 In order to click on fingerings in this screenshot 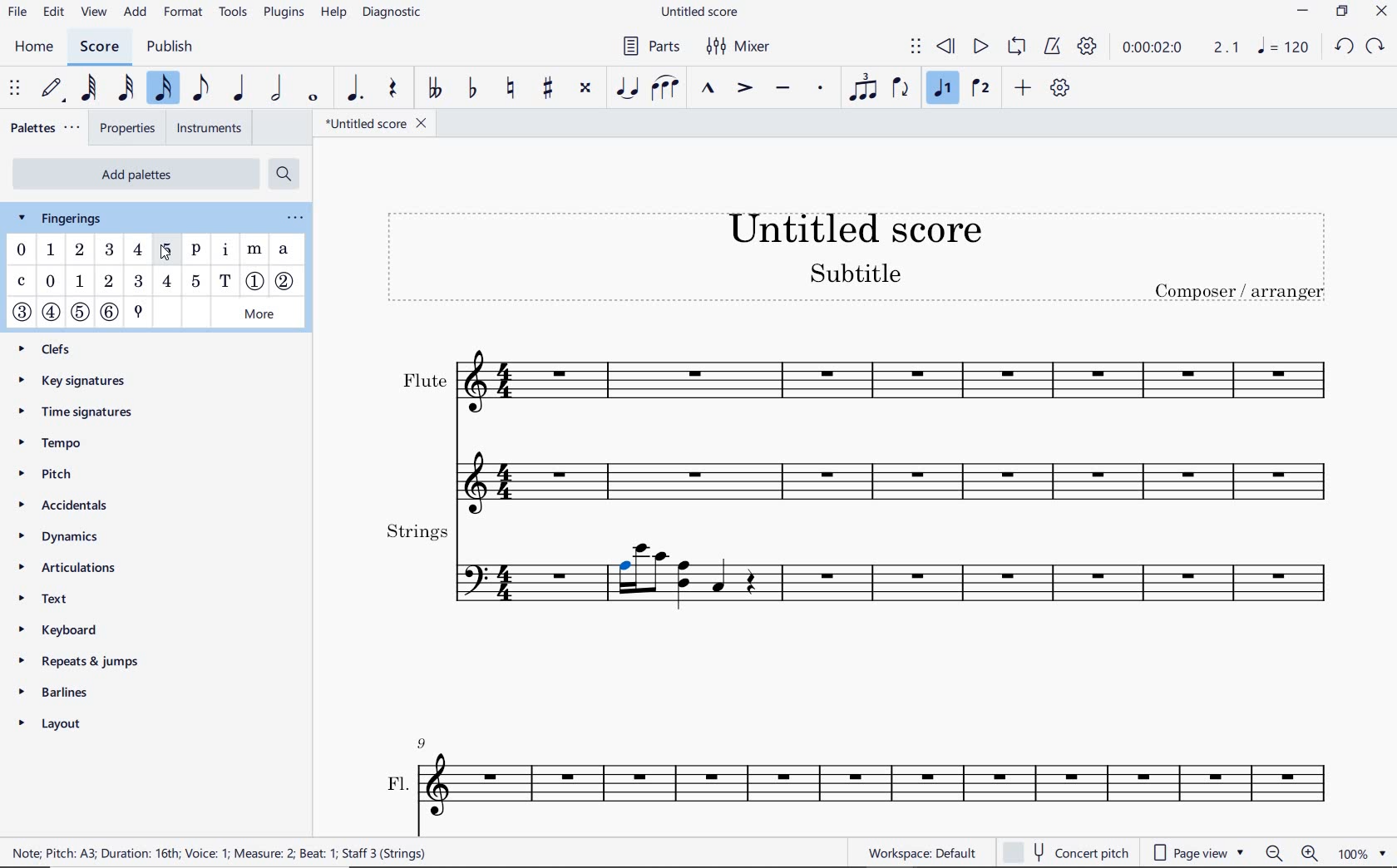, I will do `click(68, 218)`.